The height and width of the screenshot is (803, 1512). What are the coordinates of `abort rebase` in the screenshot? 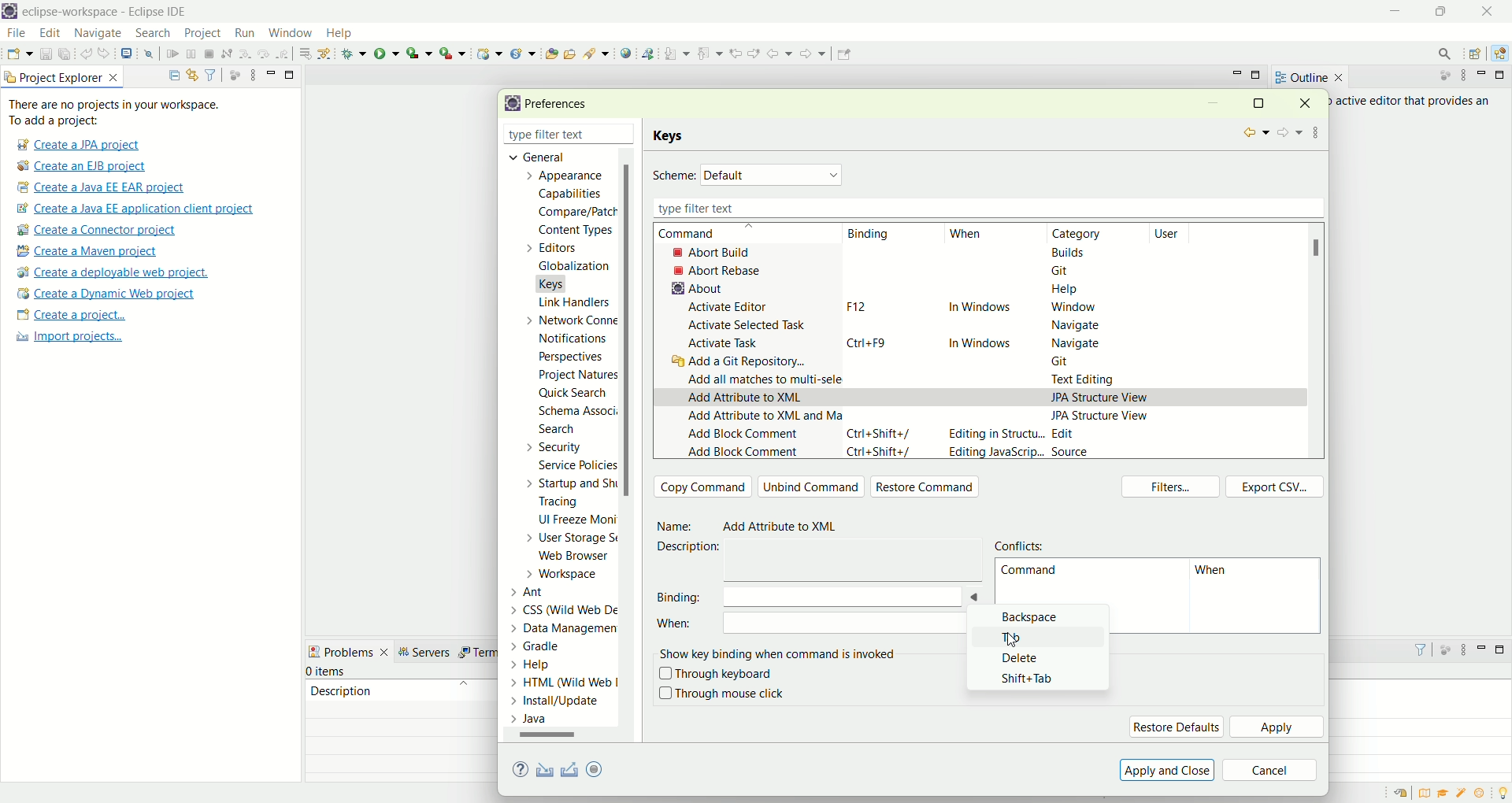 It's located at (721, 271).